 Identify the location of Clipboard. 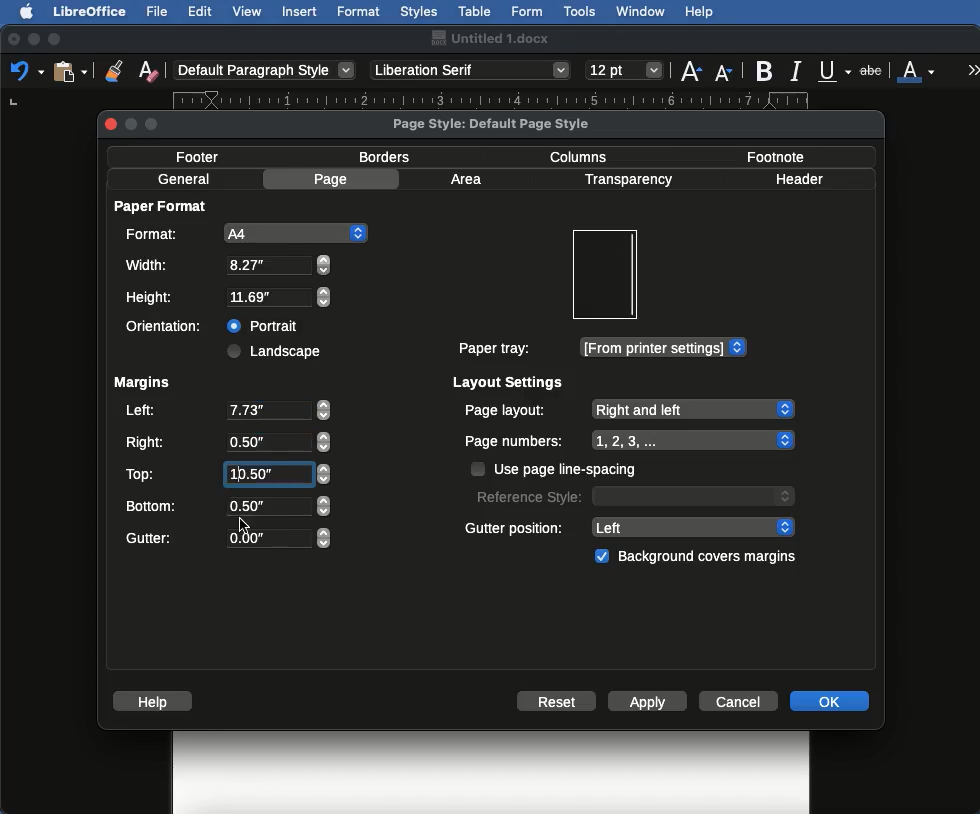
(70, 70).